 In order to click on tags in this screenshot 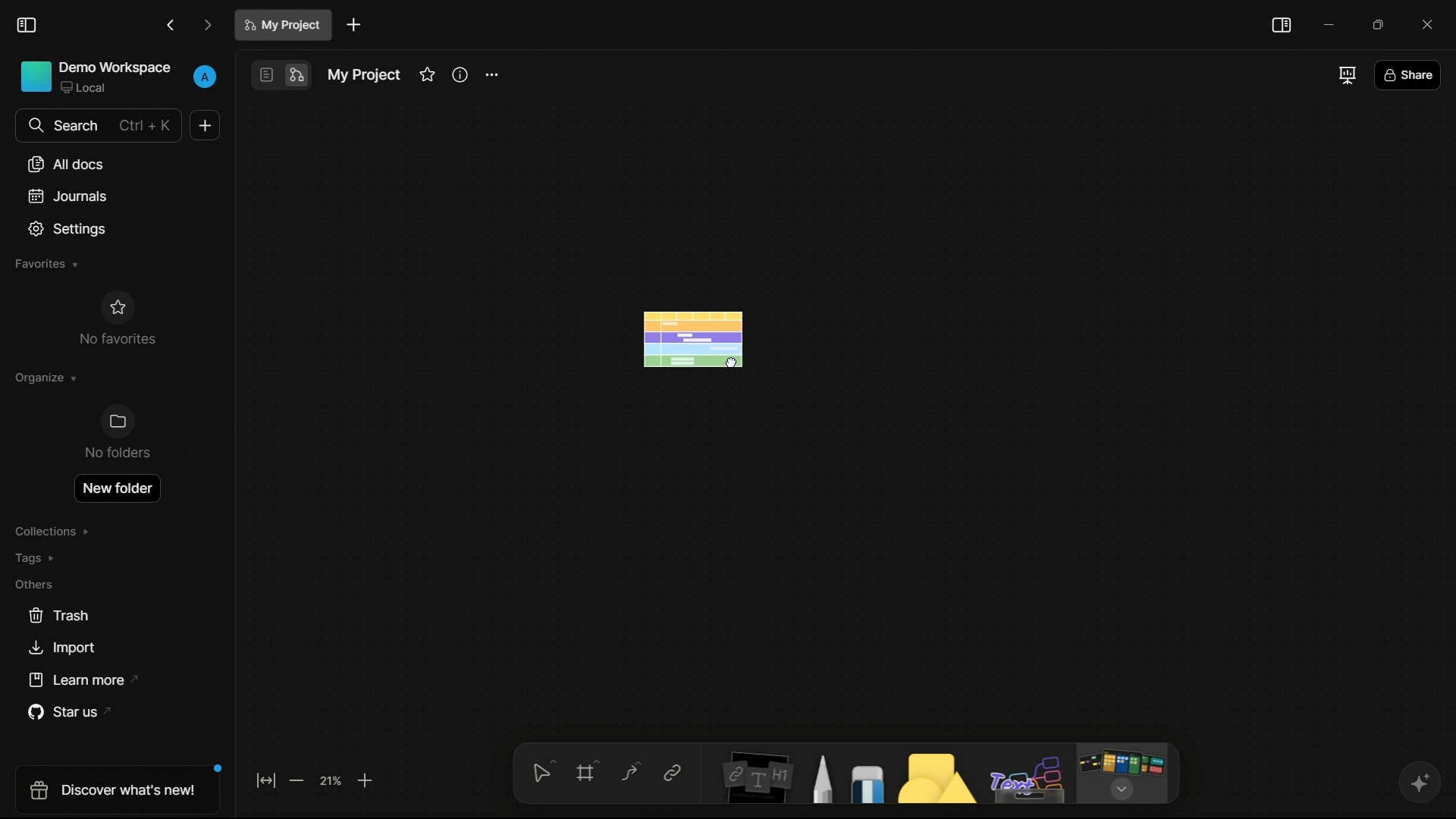, I will do `click(38, 557)`.